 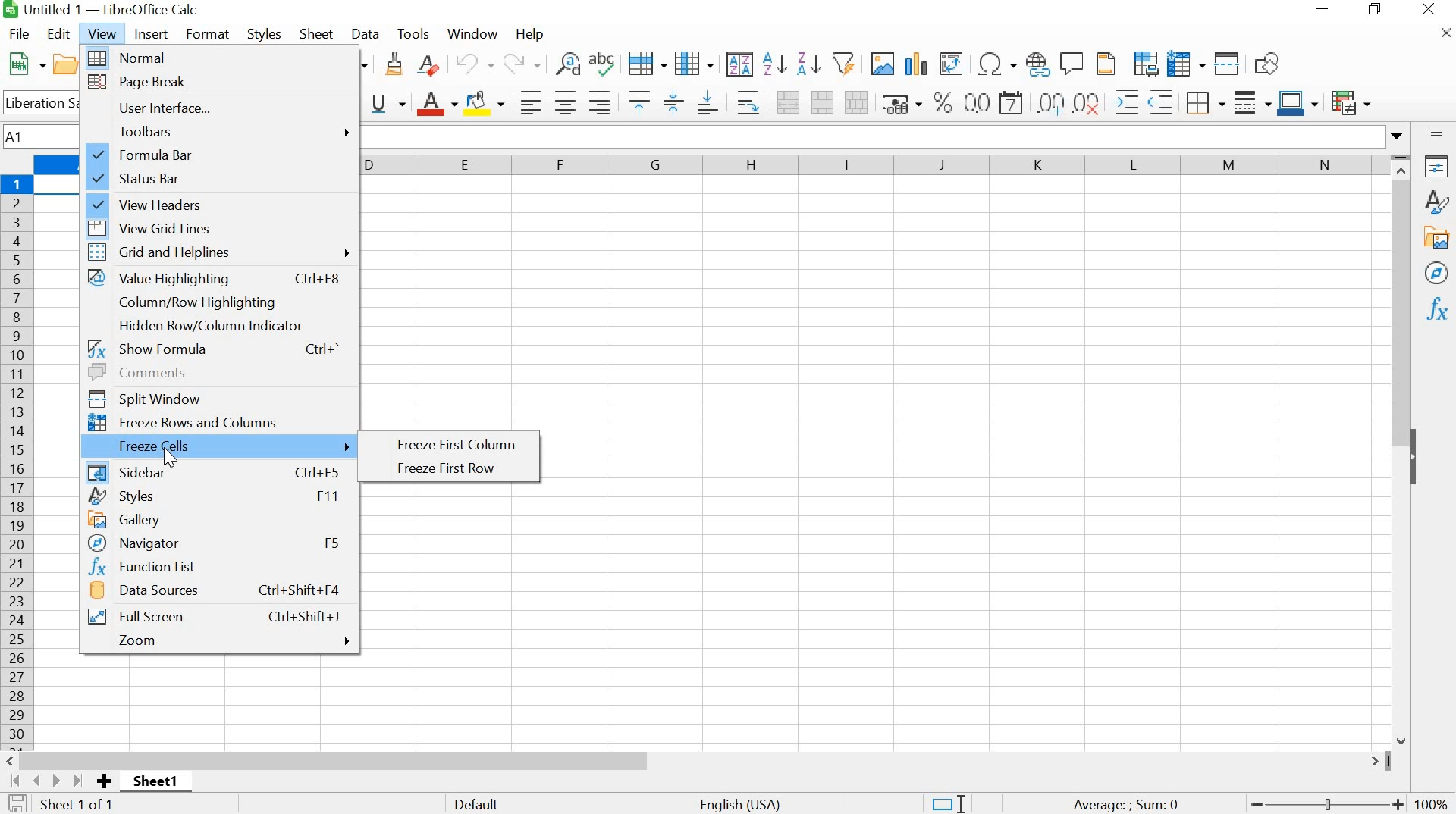 I want to click on NEW, so click(x=24, y=64).